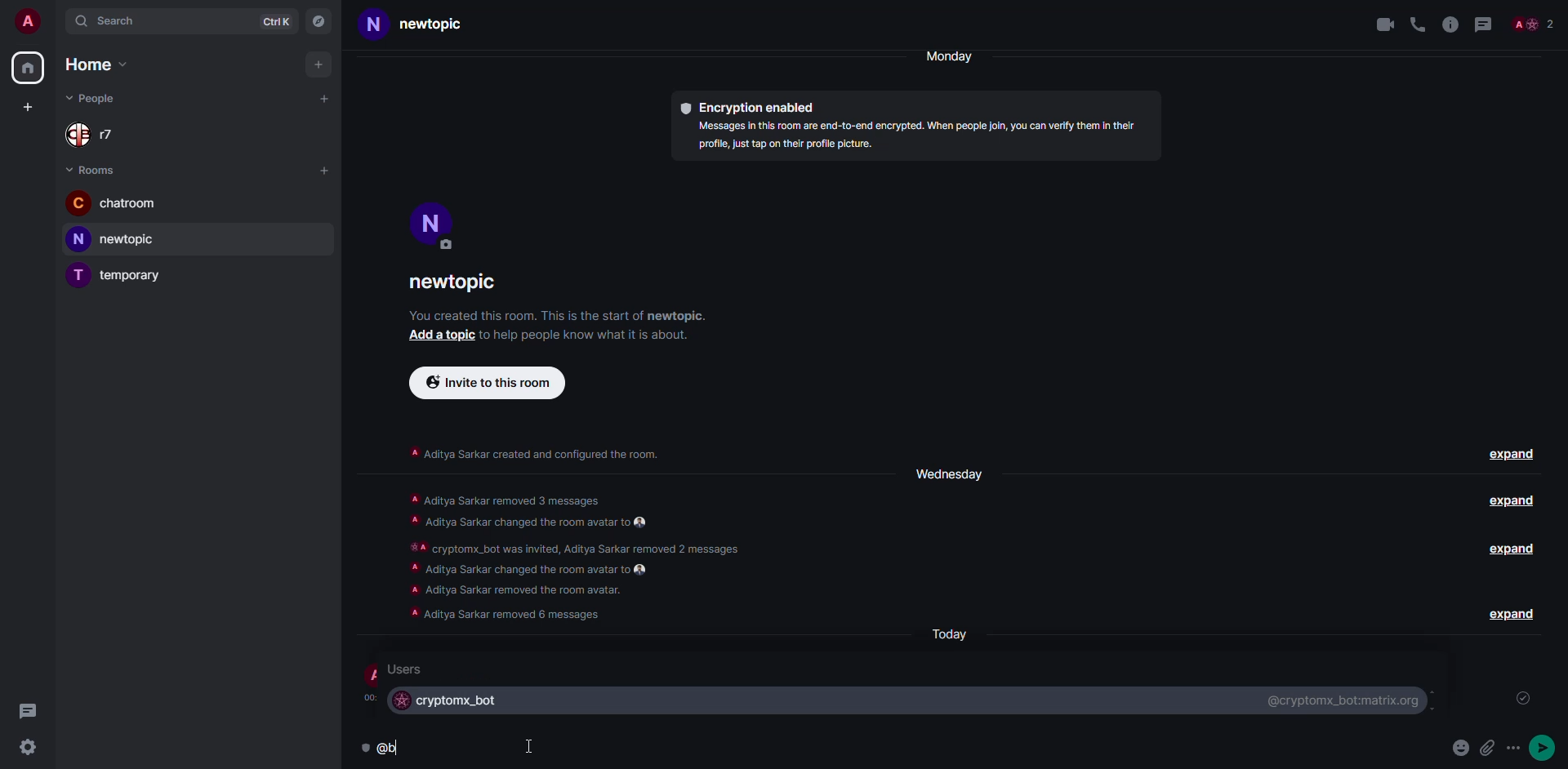 This screenshot has width=1568, height=769. What do you see at coordinates (28, 21) in the screenshot?
I see `profile` at bounding box center [28, 21].